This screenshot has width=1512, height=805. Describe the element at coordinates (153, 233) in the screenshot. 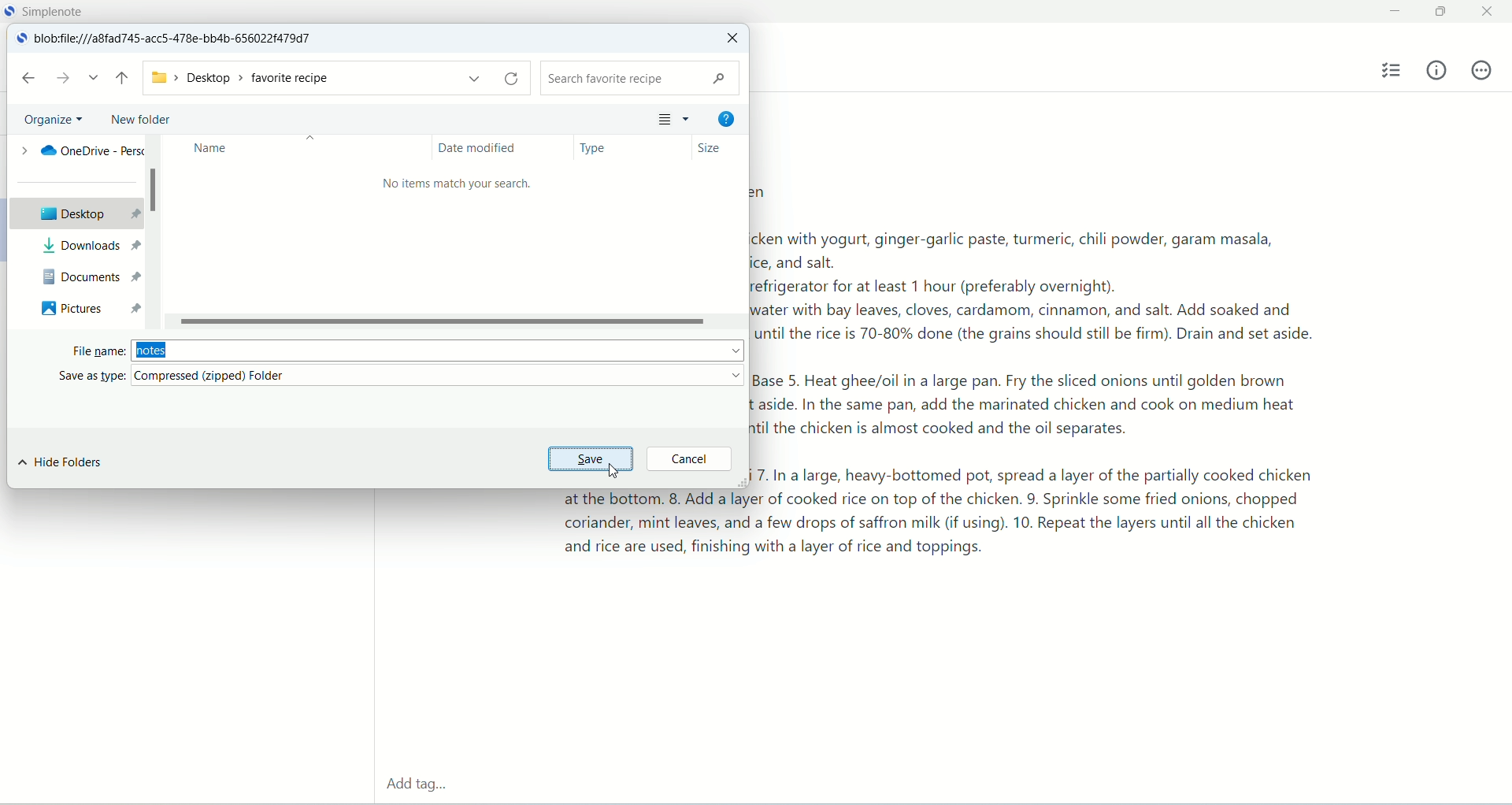

I see `vertical scroll bar` at that location.